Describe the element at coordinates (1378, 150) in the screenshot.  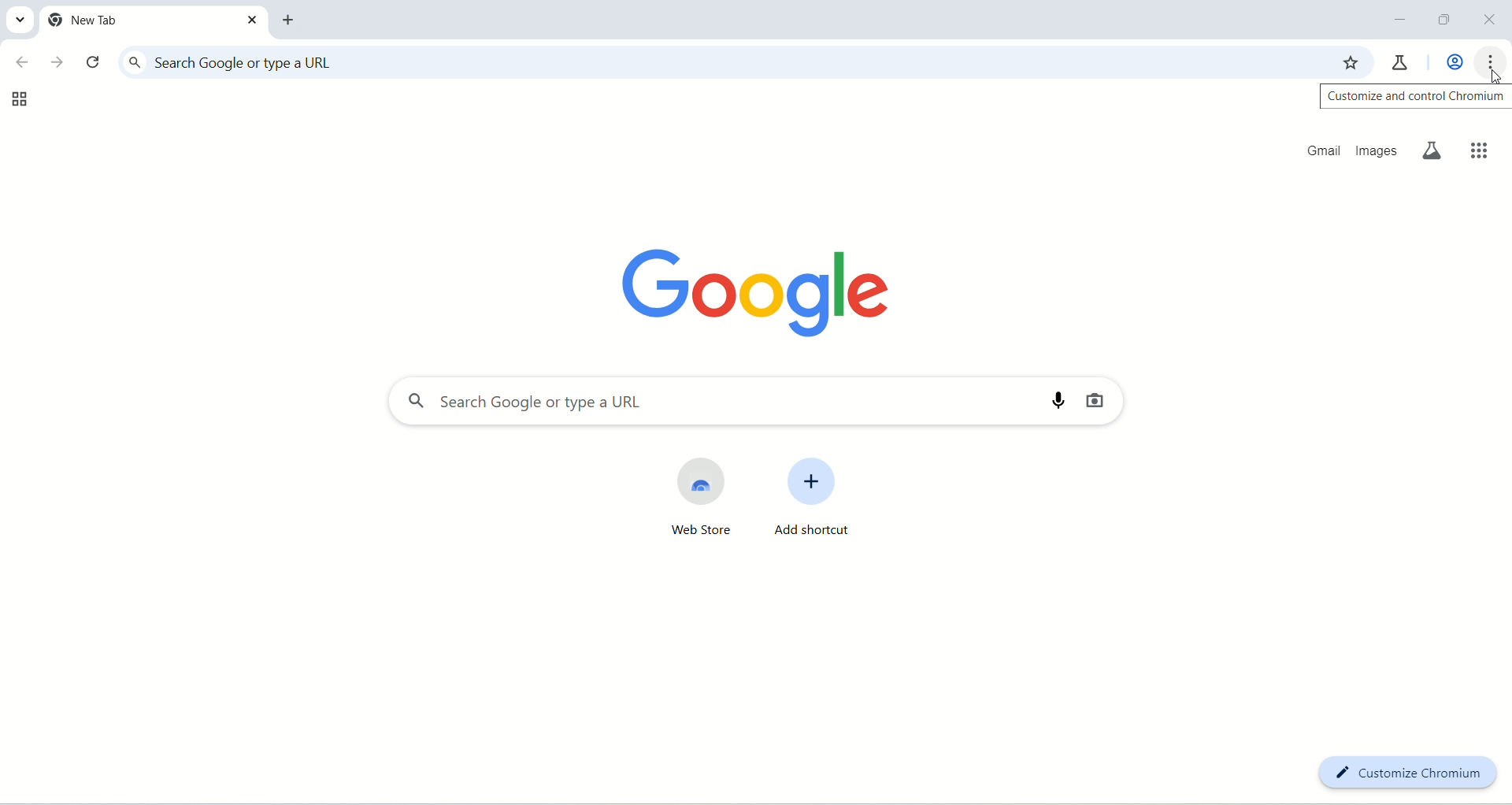
I see `images` at that location.